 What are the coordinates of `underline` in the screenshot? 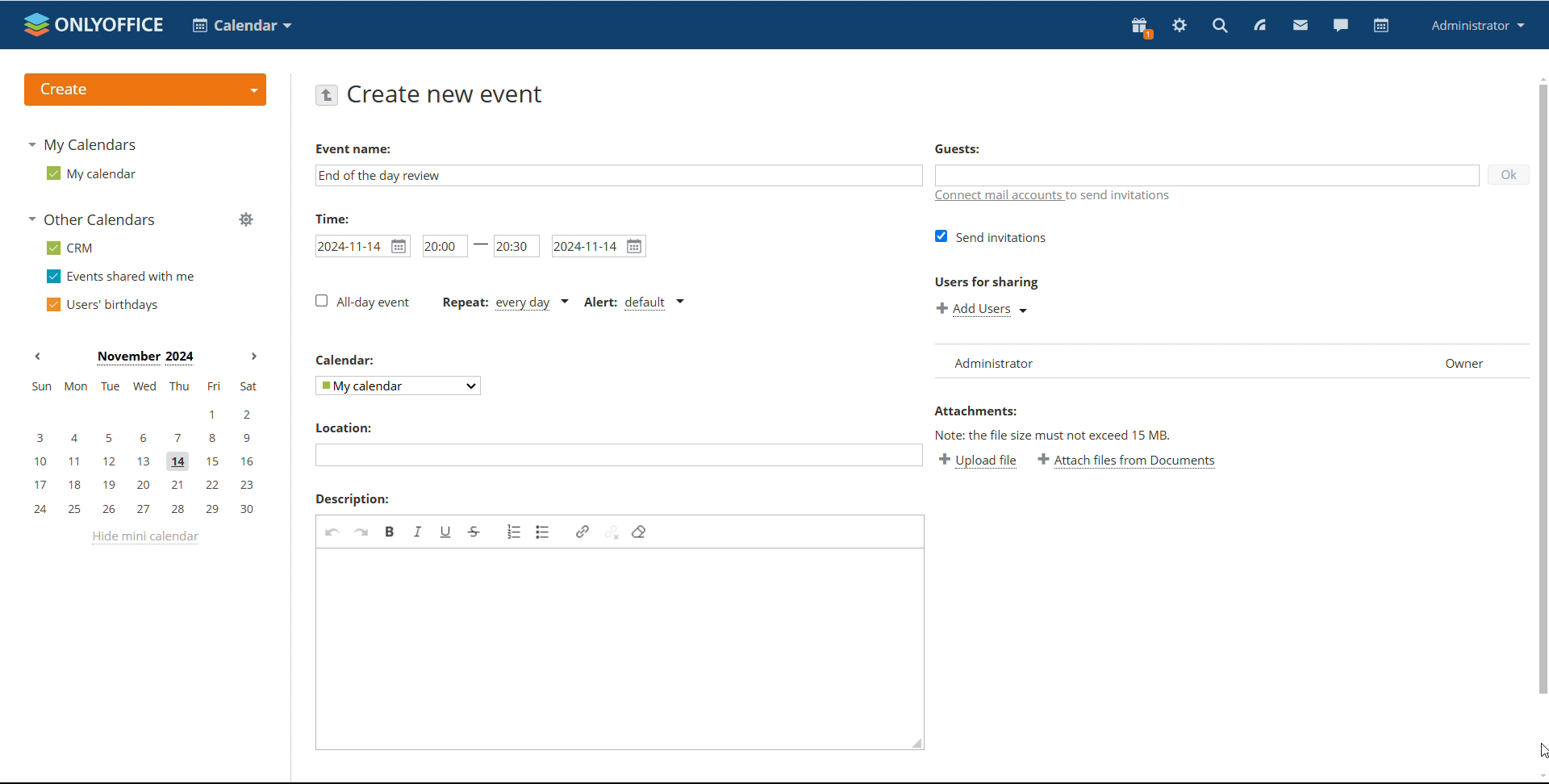 It's located at (446, 532).